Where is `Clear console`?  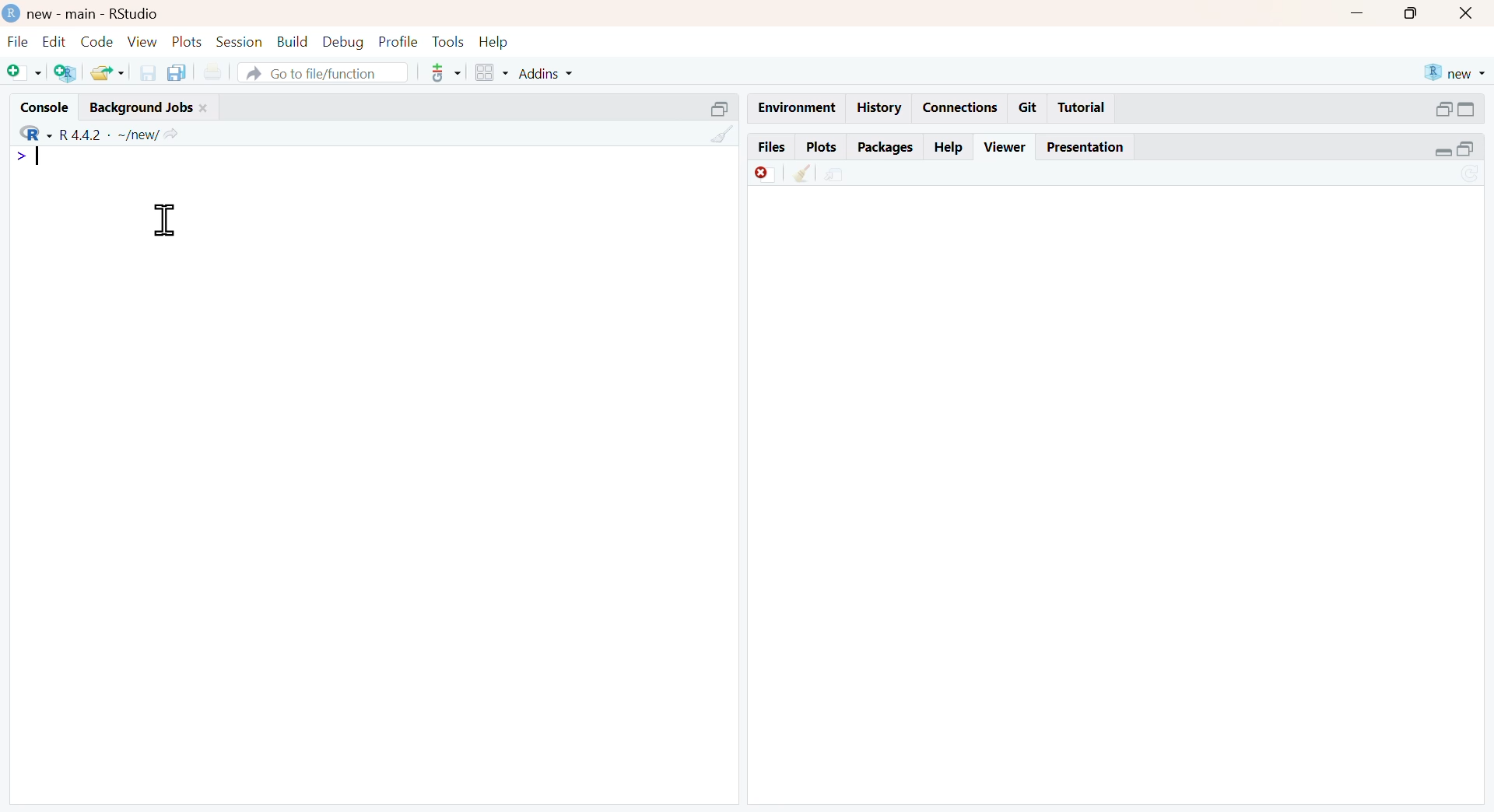 Clear console is located at coordinates (712, 136).